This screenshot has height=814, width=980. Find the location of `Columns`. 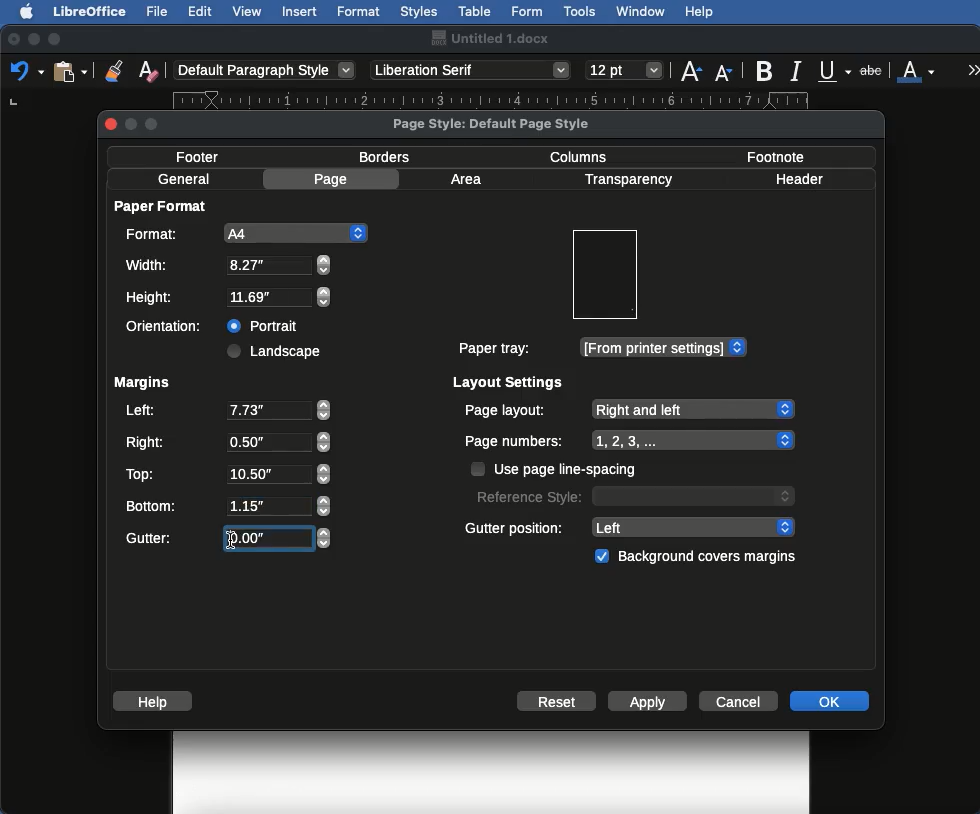

Columns is located at coordinates (584, 155).